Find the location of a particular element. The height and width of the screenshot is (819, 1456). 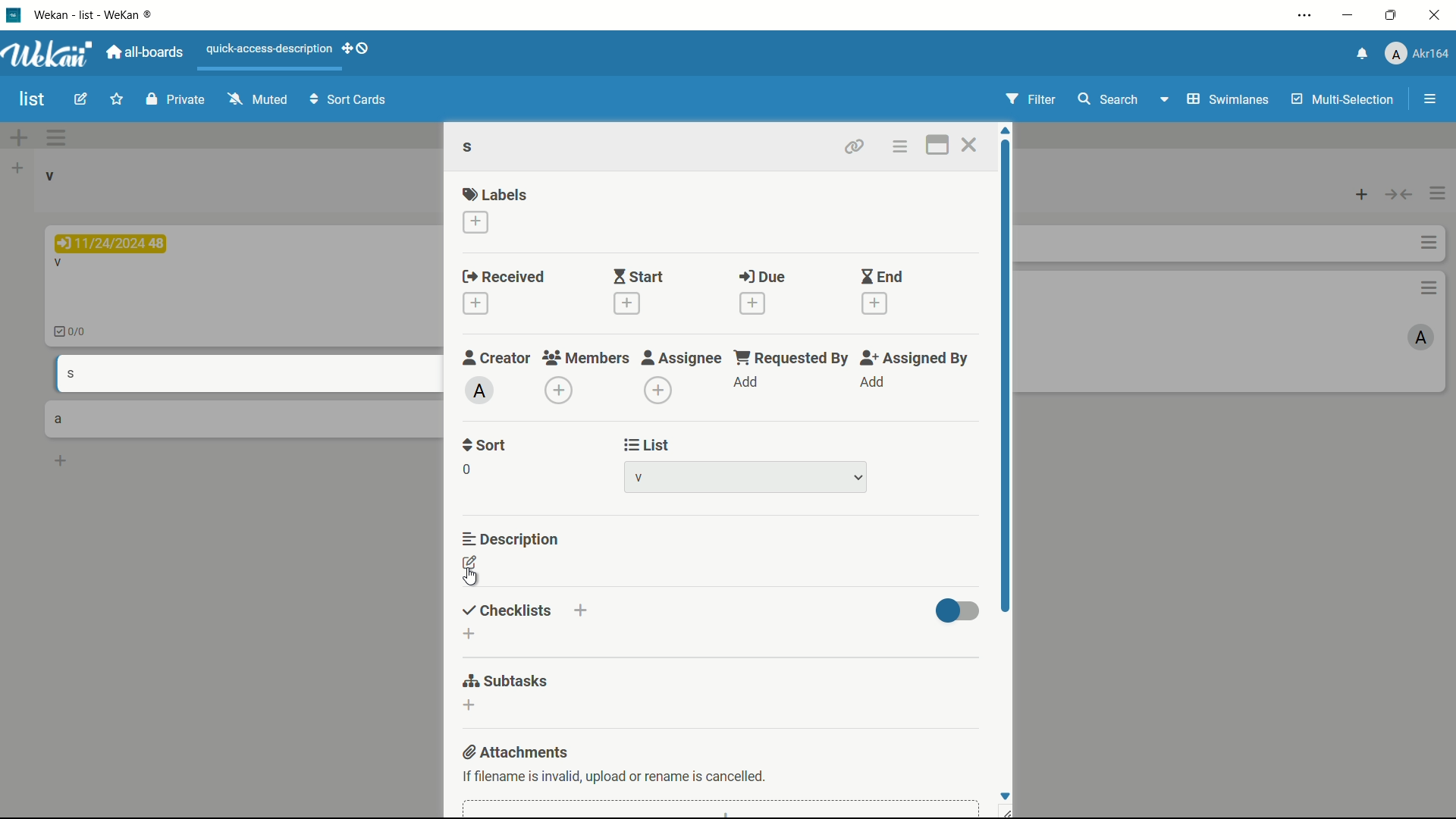

add subtasks is located at coordinates (470, 704).